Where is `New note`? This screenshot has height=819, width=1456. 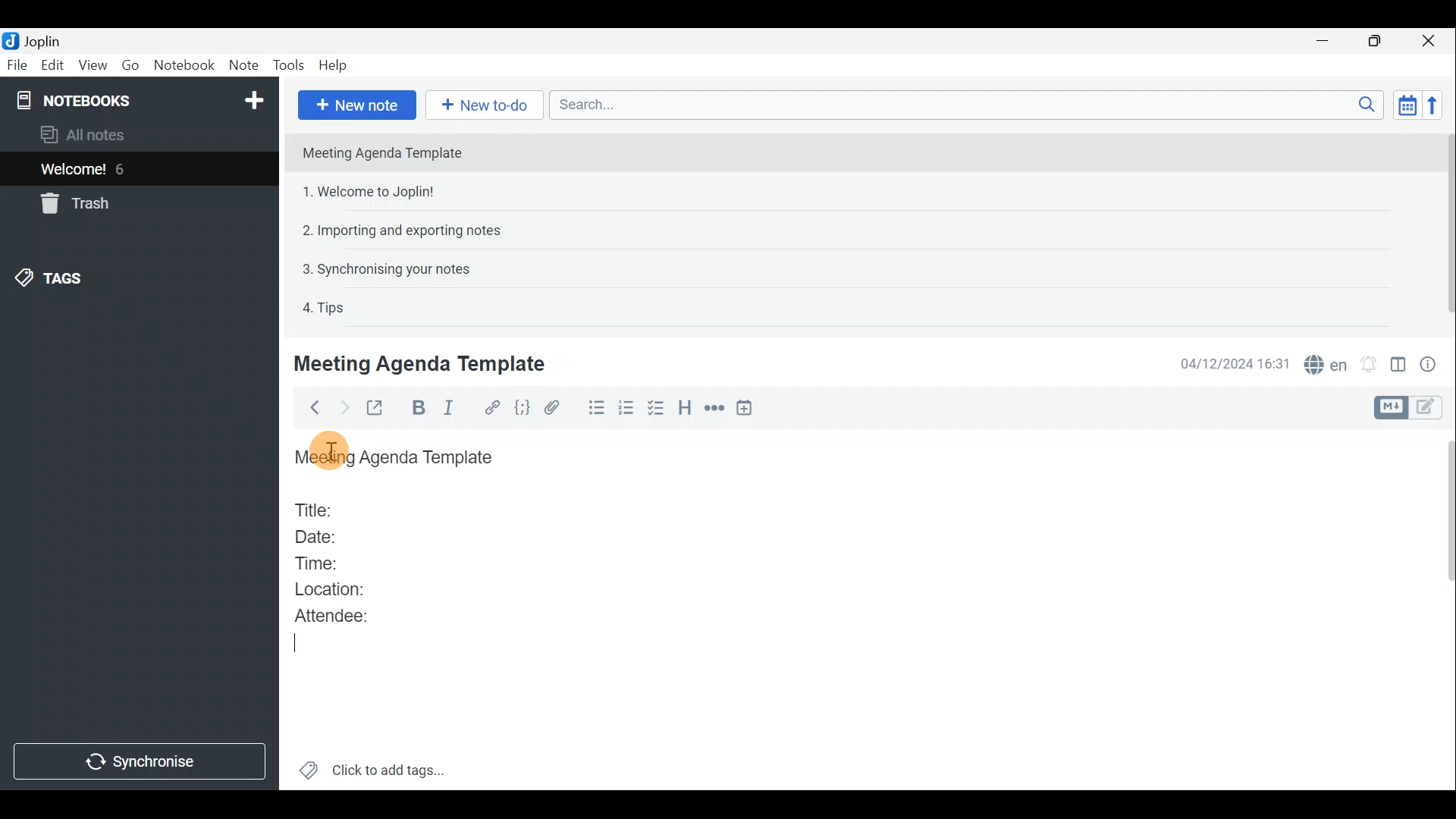
New note is located at coordinates (357, 105).